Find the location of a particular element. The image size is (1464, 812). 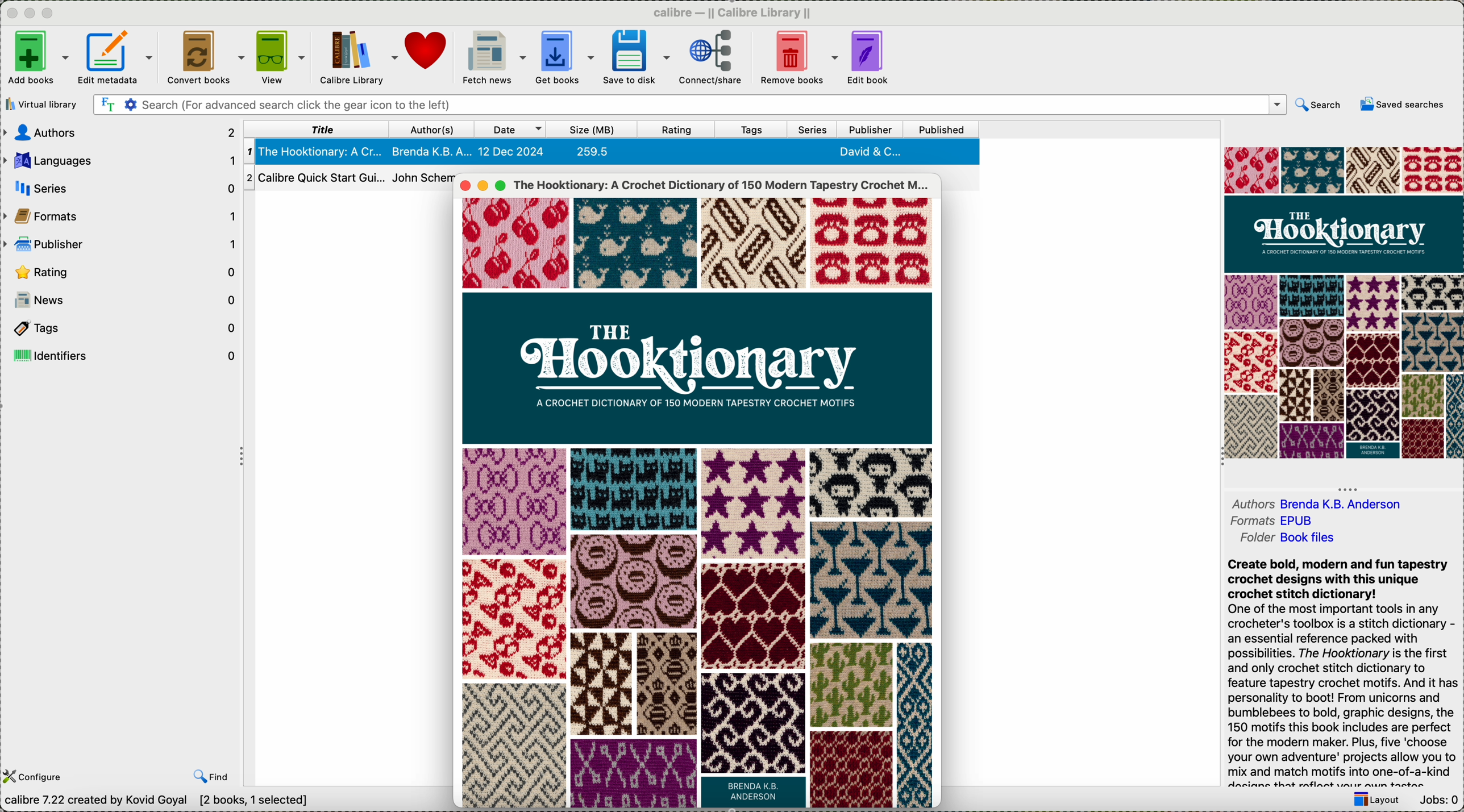

summary is located at coordinates (1345, 672).